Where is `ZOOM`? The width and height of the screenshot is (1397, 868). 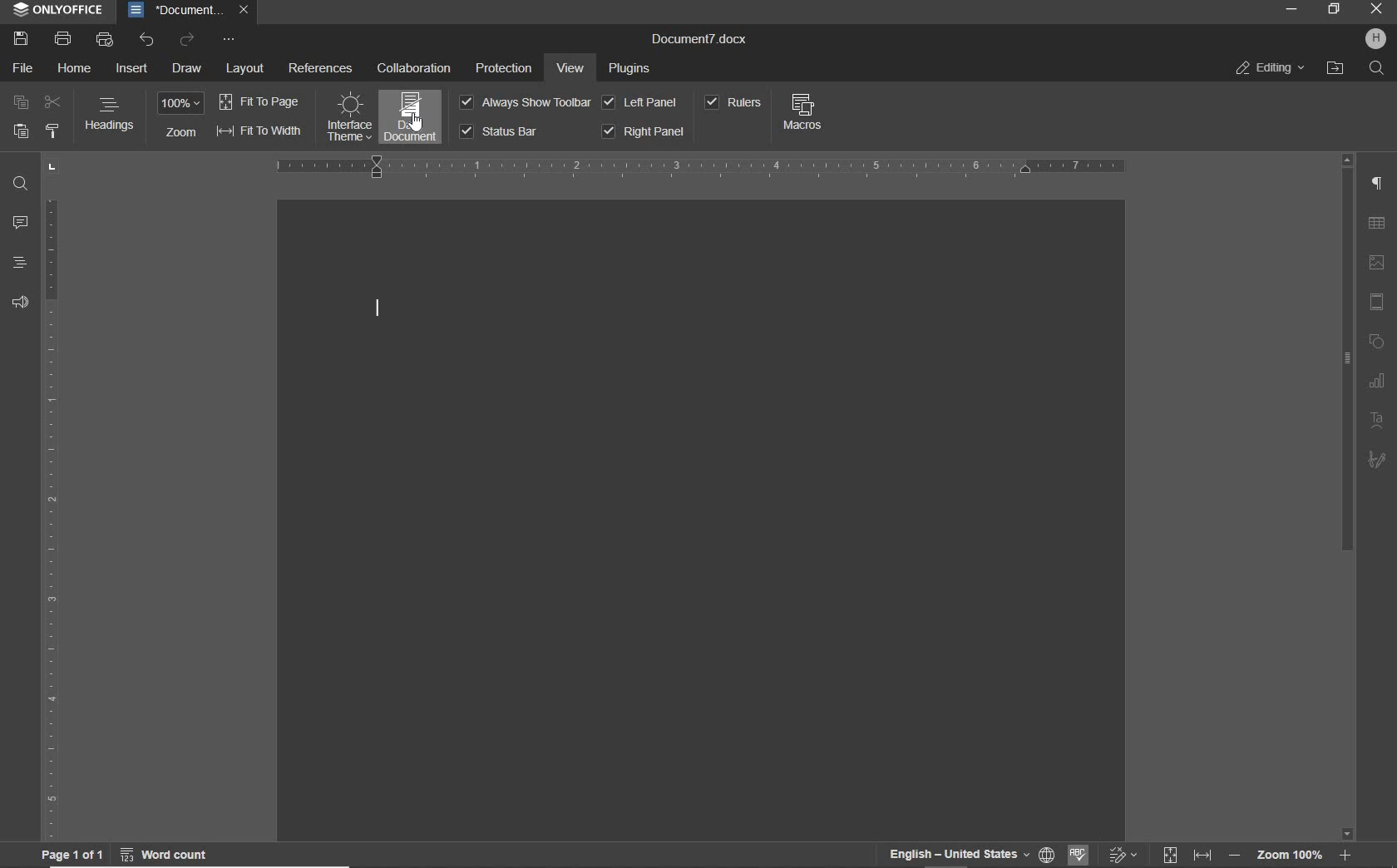
ZOOM is located at coordinates (180, 133).